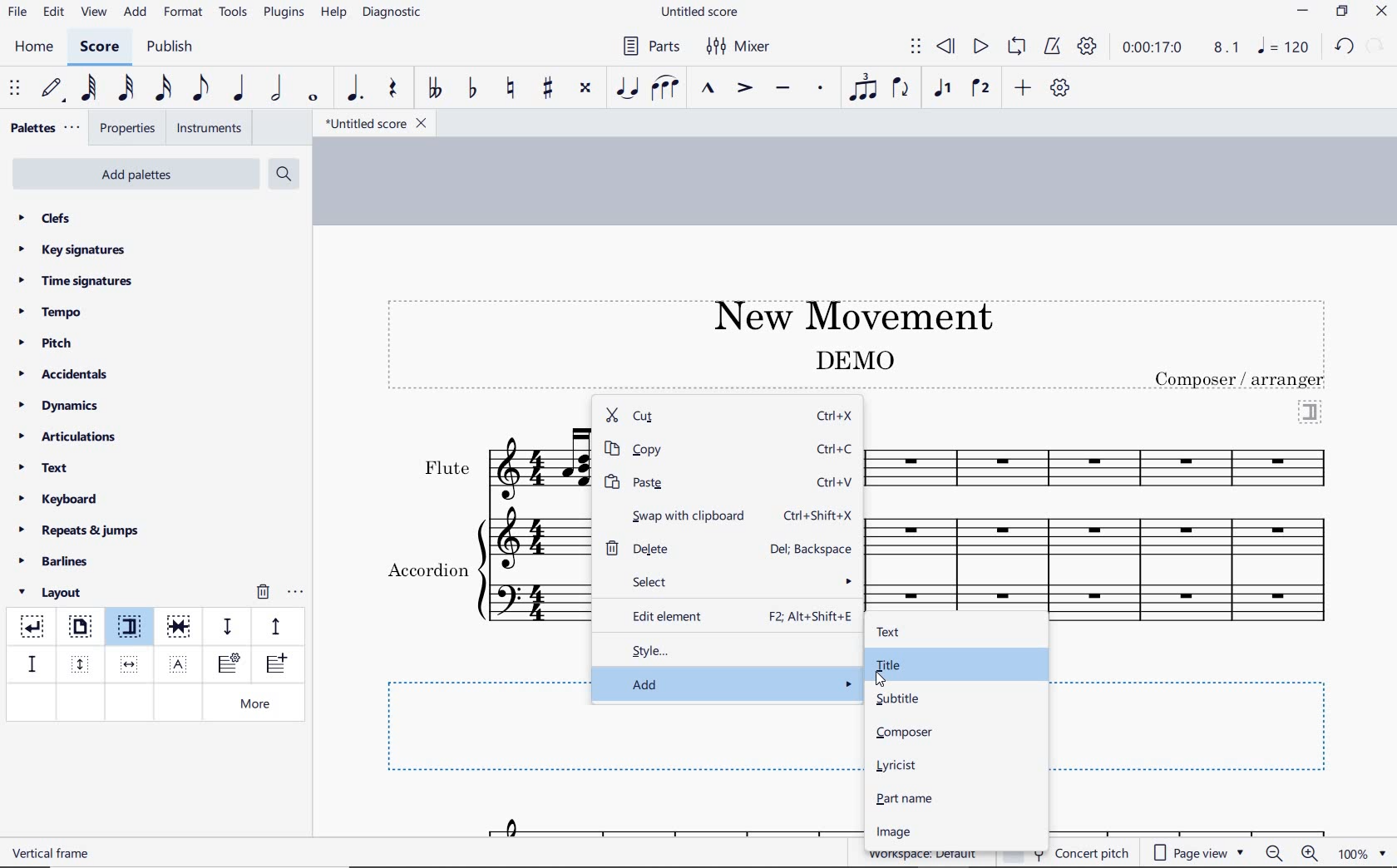  Describe the element at coordinates (782, 89) in the screenshot. I see `tenuto` at that location.